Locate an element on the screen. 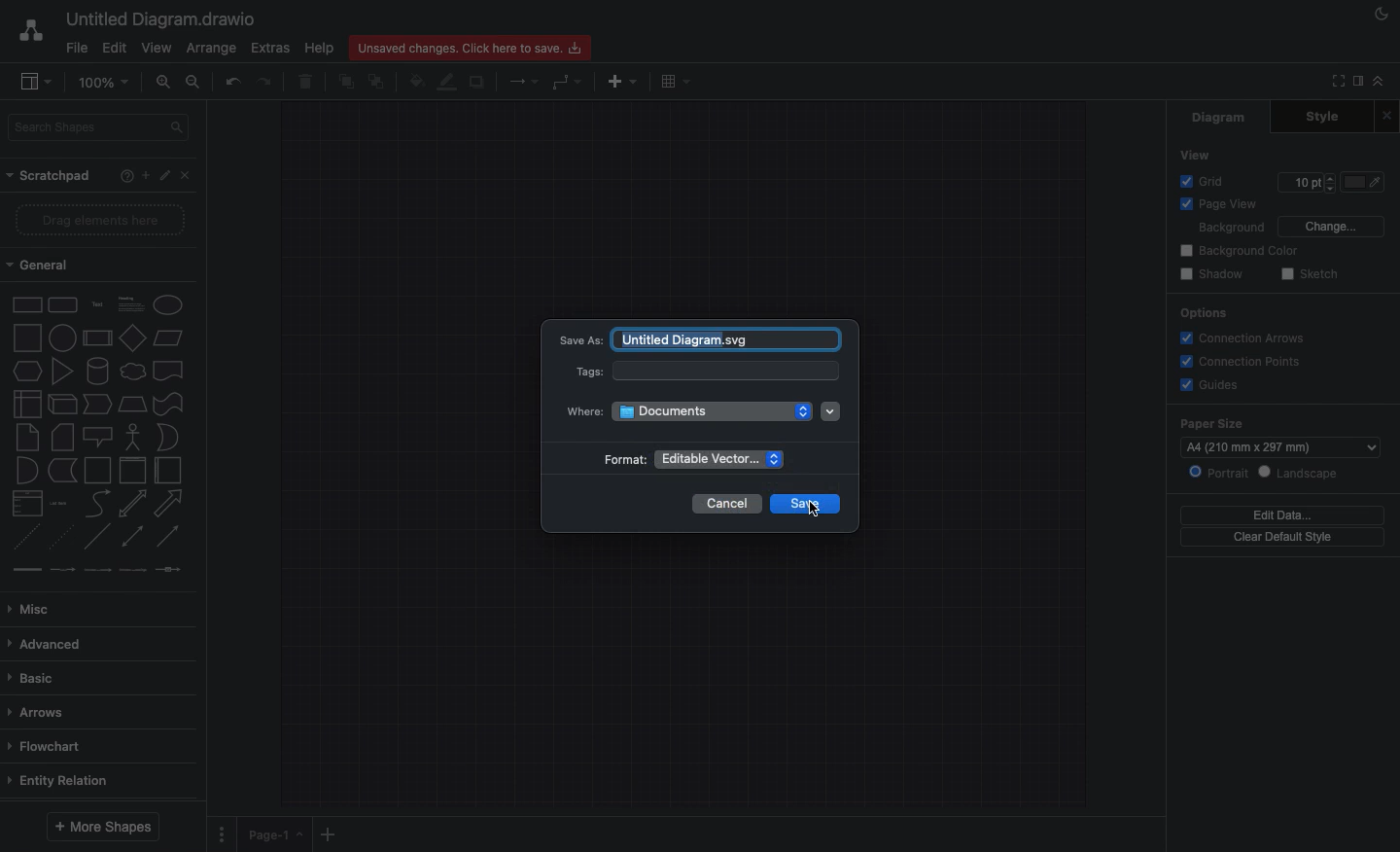  Extras is located at coordinates (269, 48).